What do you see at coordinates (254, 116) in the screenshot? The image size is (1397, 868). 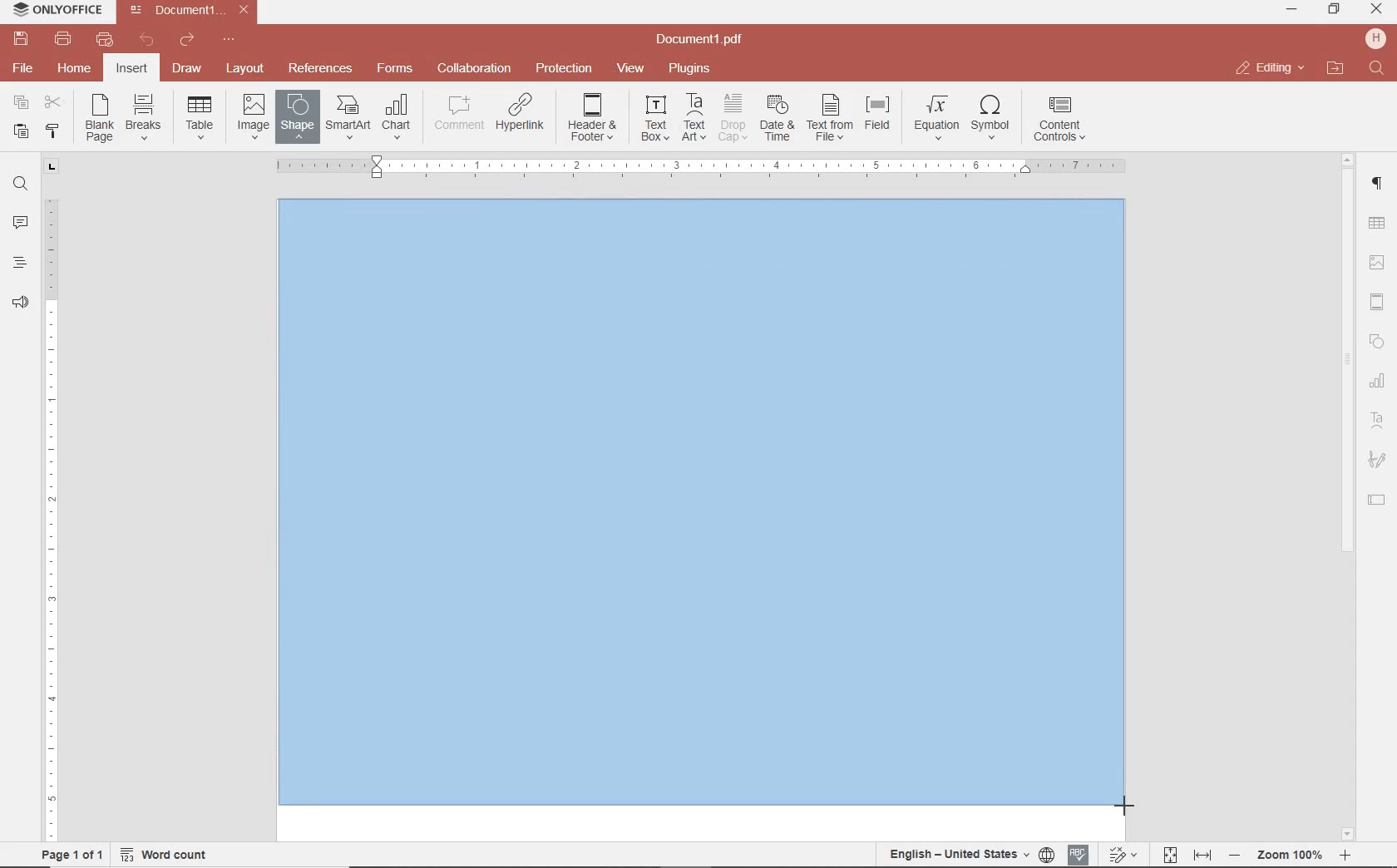 I see `INSERT IMAGES` at bounding box center [254, 116].